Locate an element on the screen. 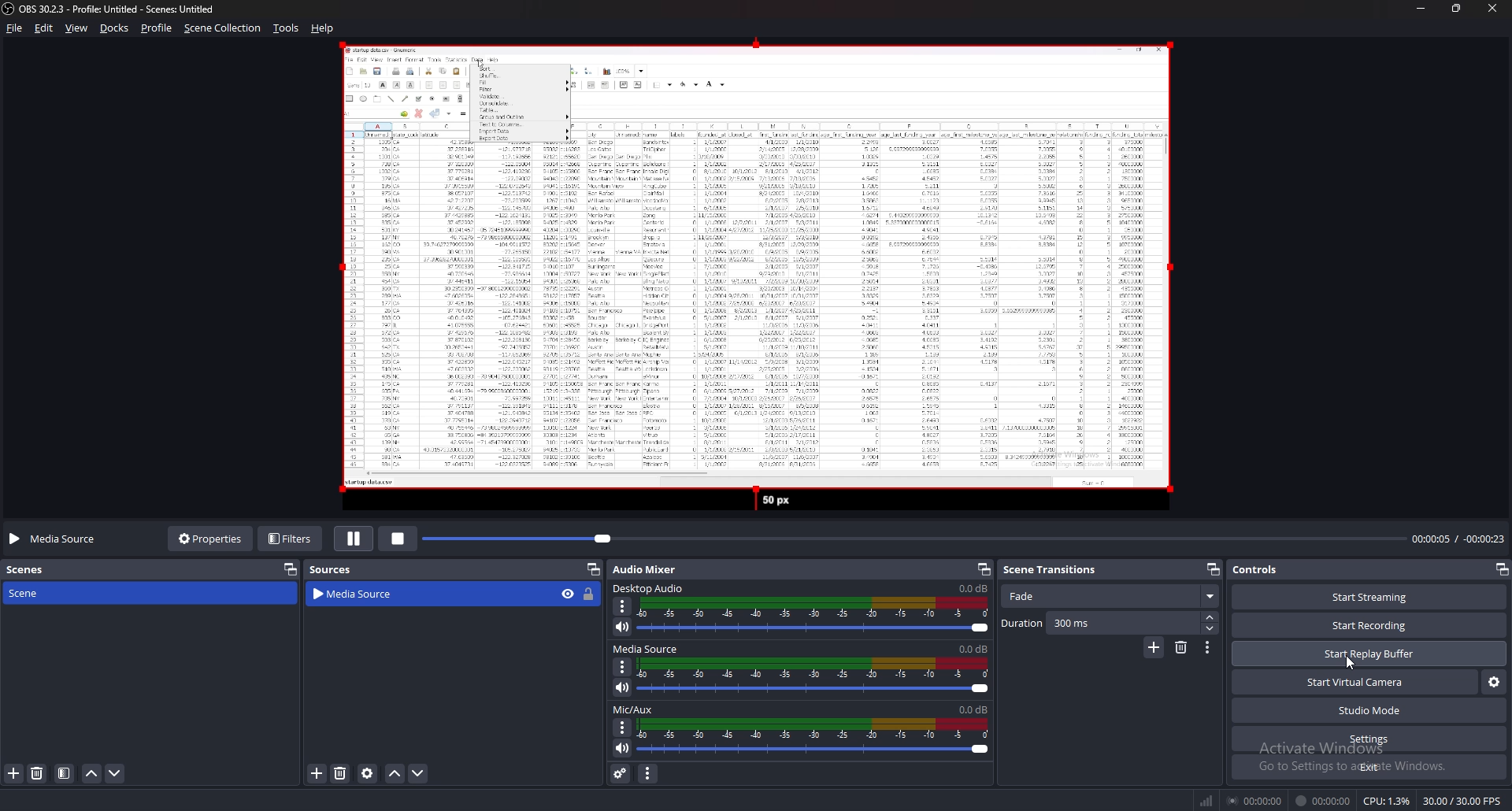 The image size is (1512, 811). studio mode is located at coordinates (1369, 710).